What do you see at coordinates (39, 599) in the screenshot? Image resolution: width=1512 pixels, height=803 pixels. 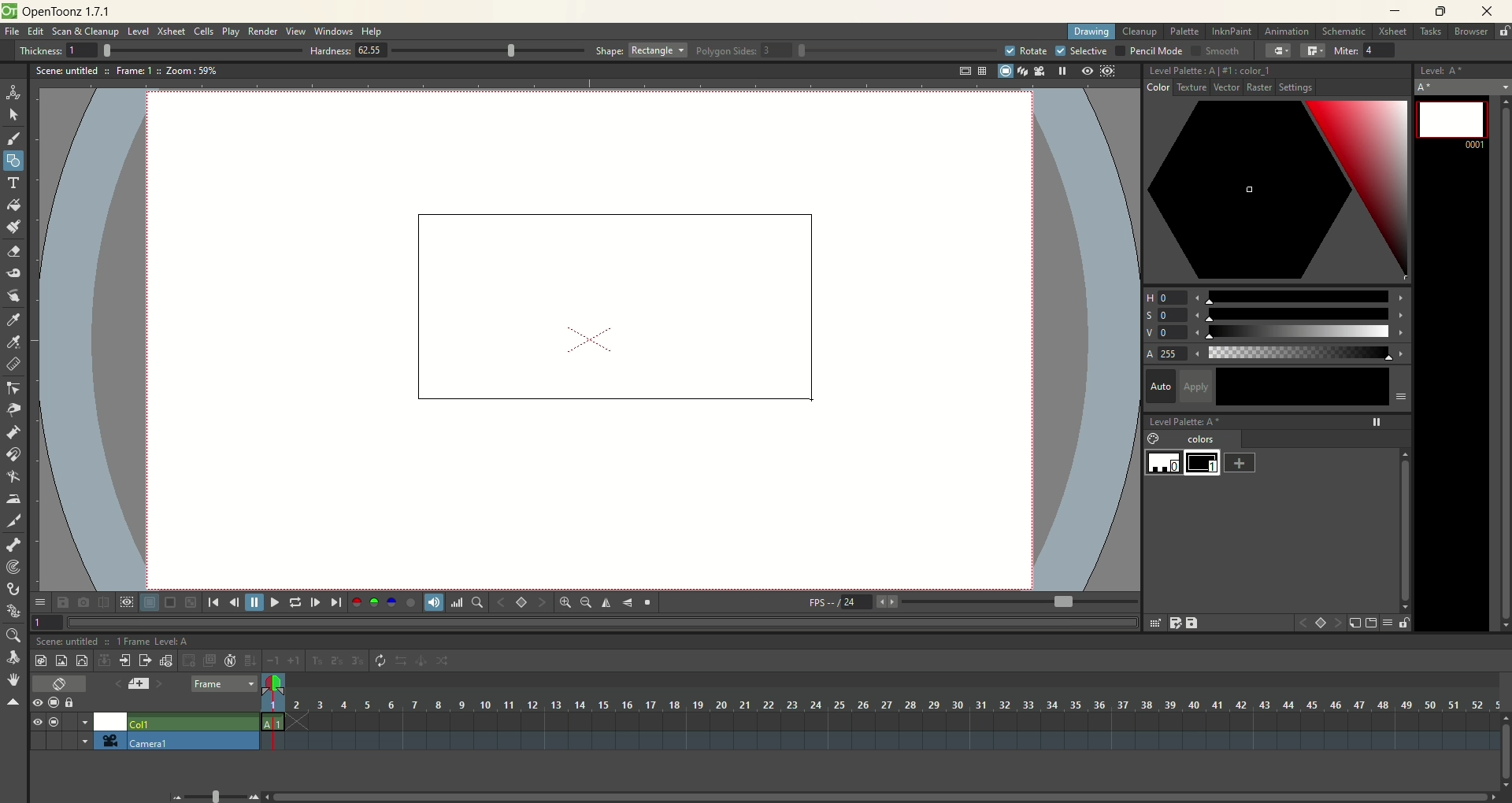 I see `options` at bounding box center [39, 599].